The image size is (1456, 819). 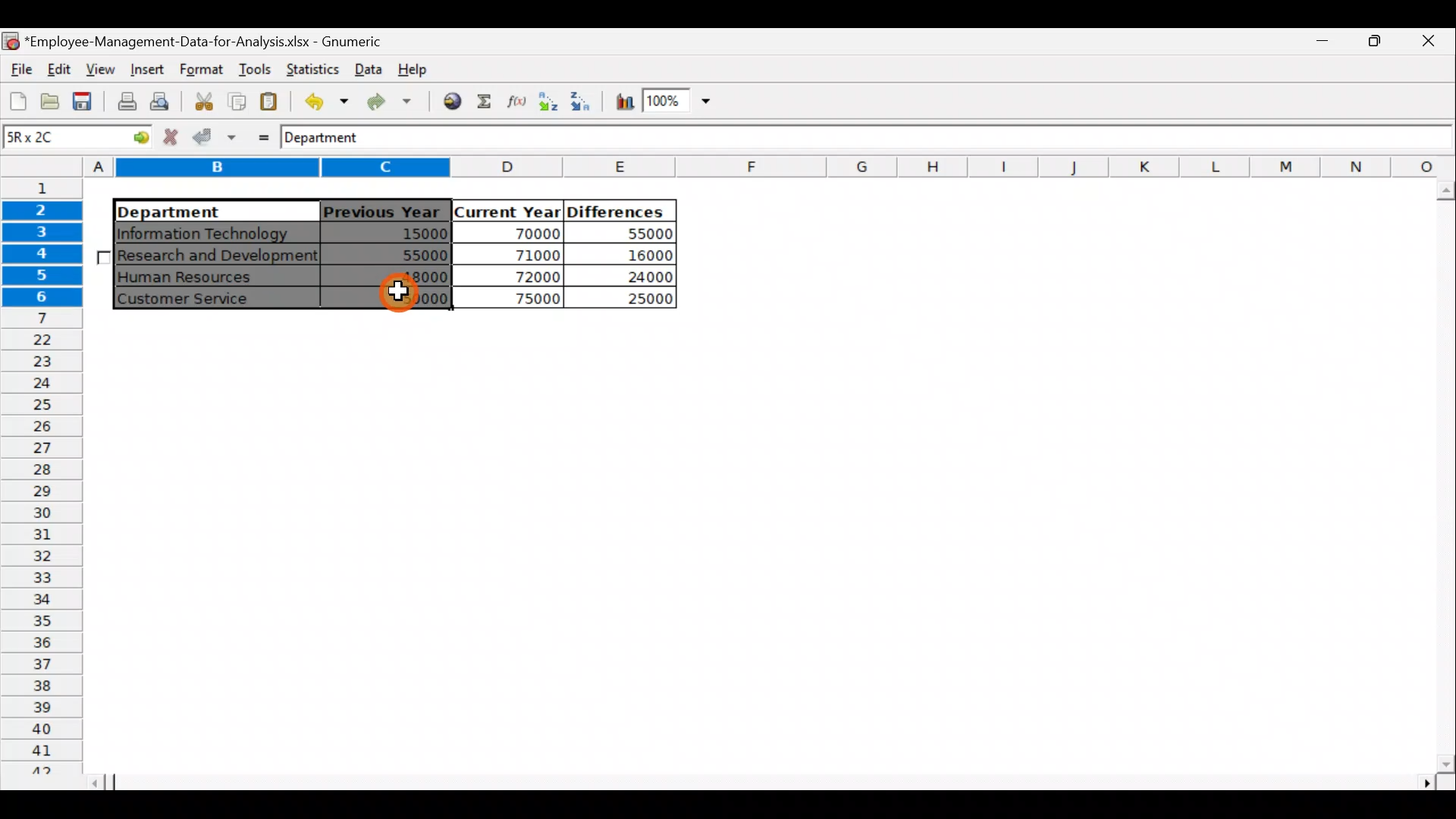 I want to click on Insert, so click(x=146, y=68).